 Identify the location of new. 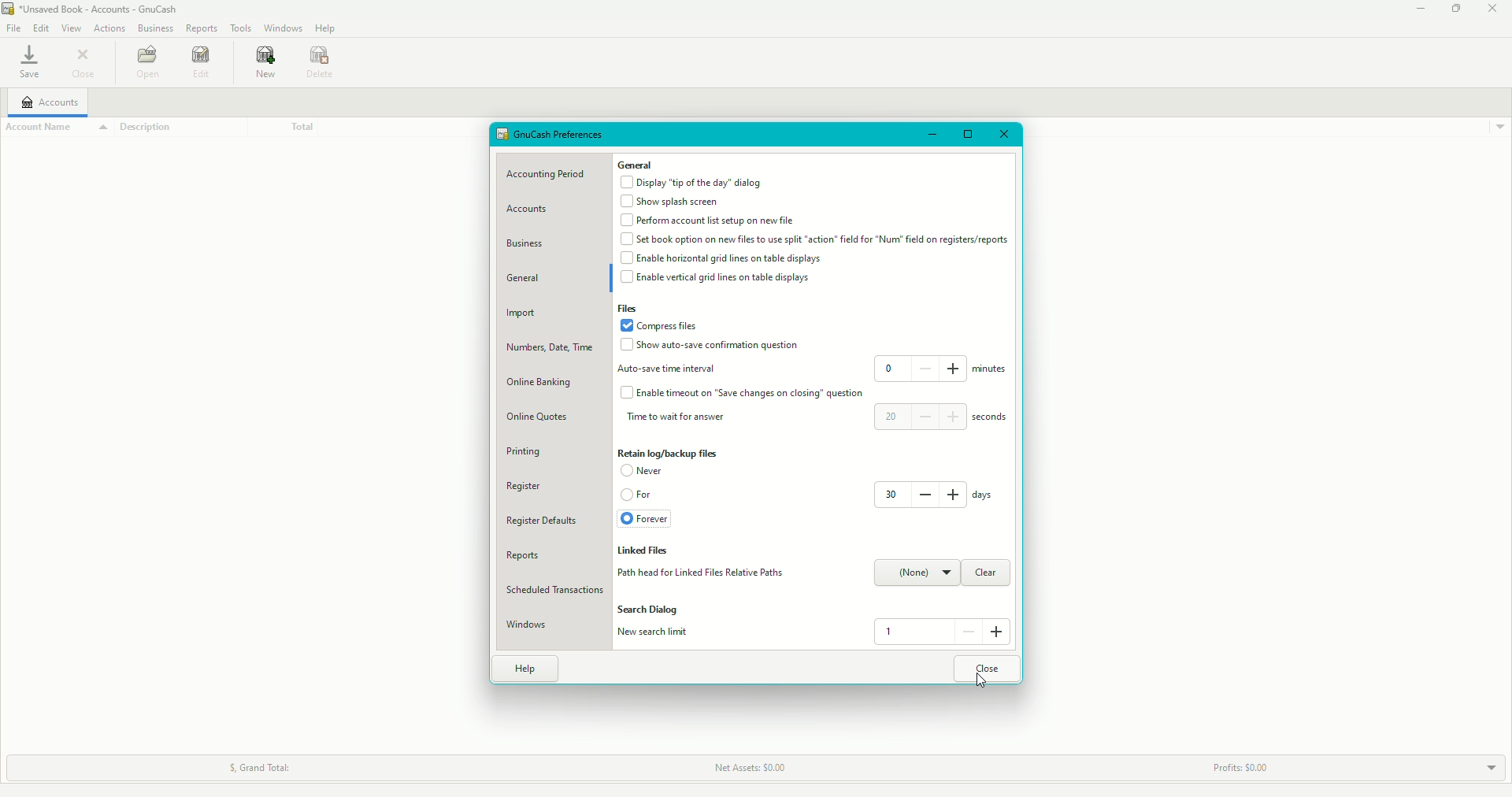
(261, 65).